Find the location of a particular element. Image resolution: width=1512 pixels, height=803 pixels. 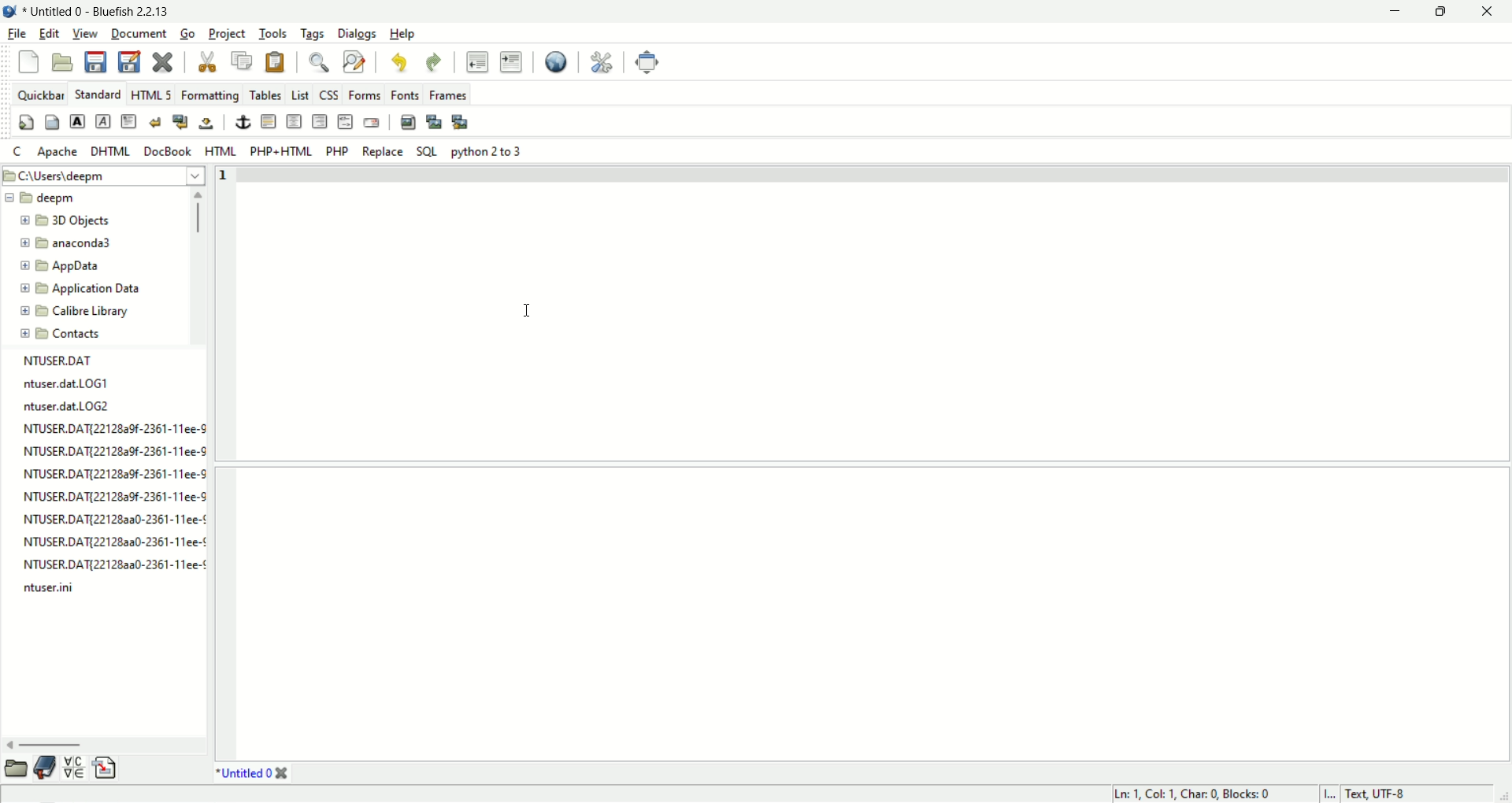

fonts is located at coordinates (407, 95).